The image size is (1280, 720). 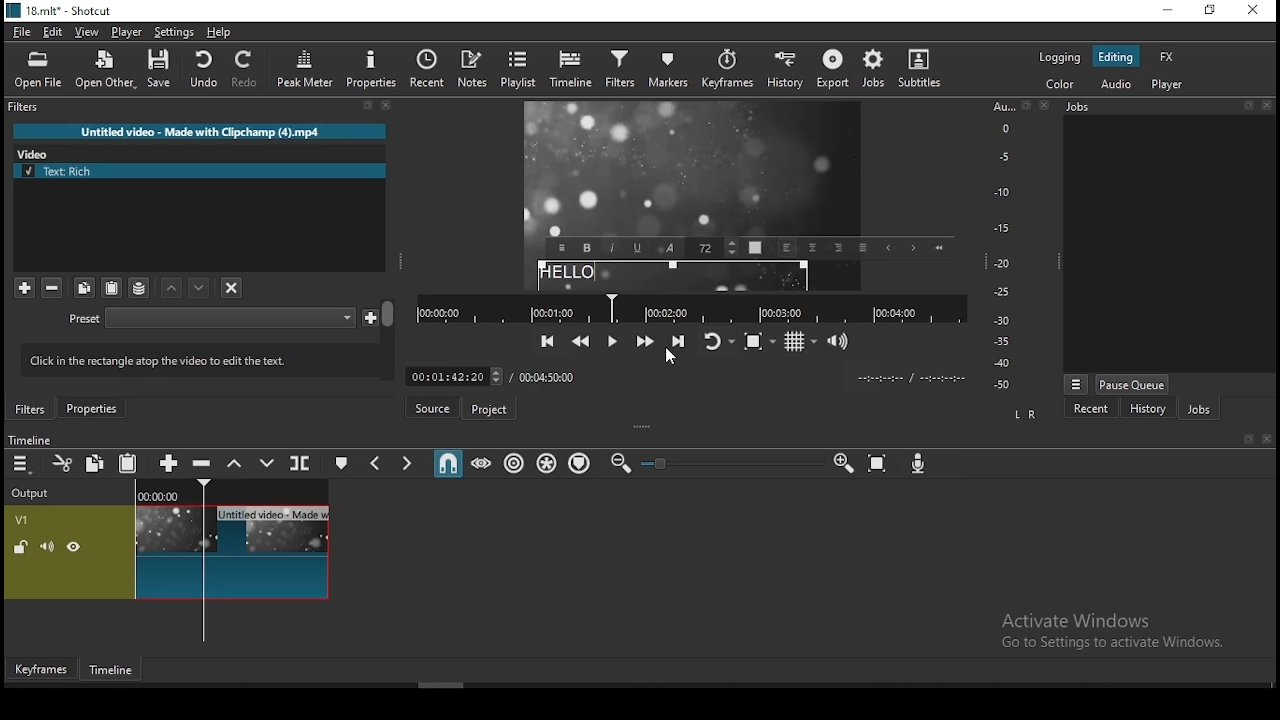 I want to click on fx, so click(x=1168, y=56).